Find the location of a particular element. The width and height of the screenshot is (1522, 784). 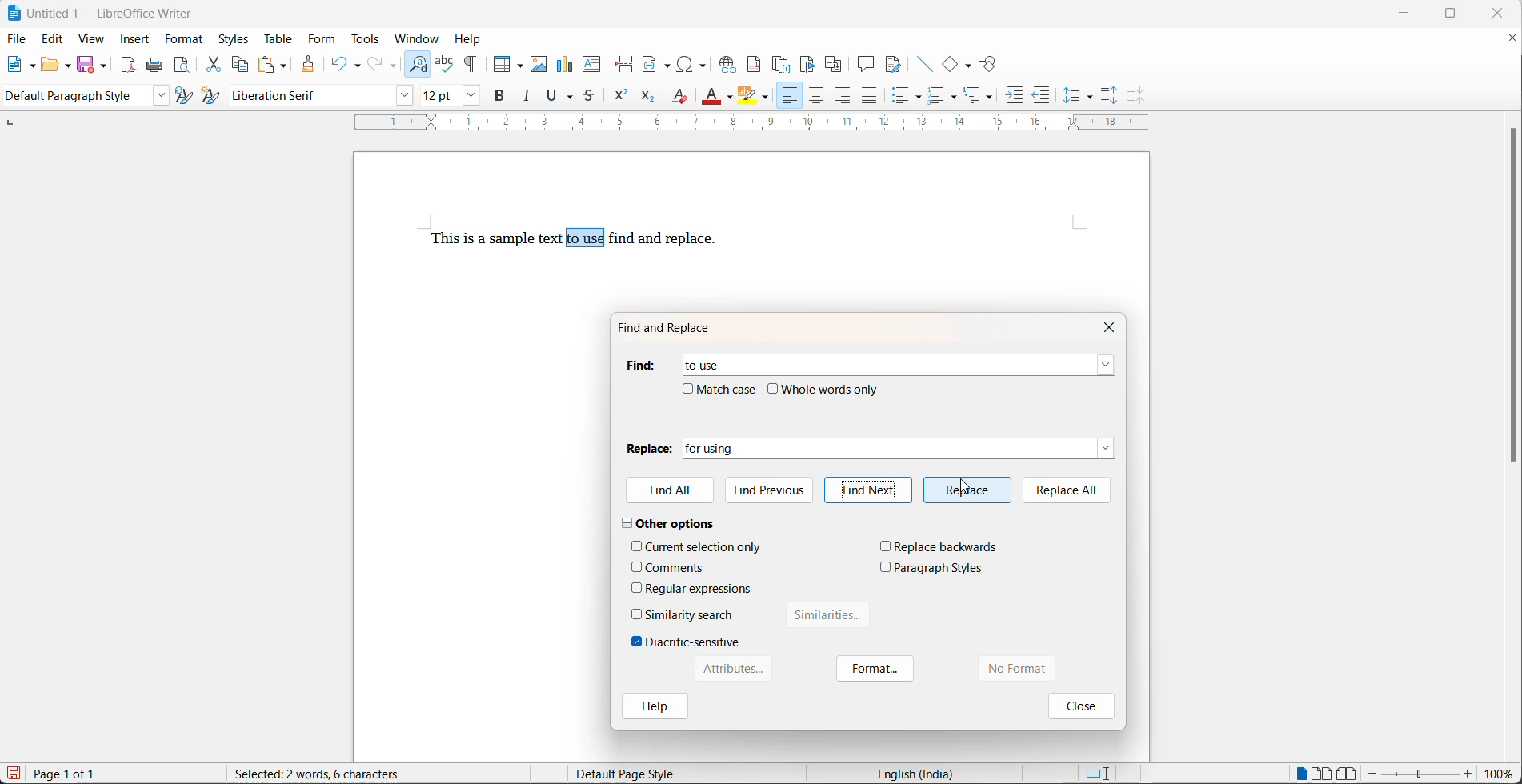

paste options is located at coordinates (285, 64).